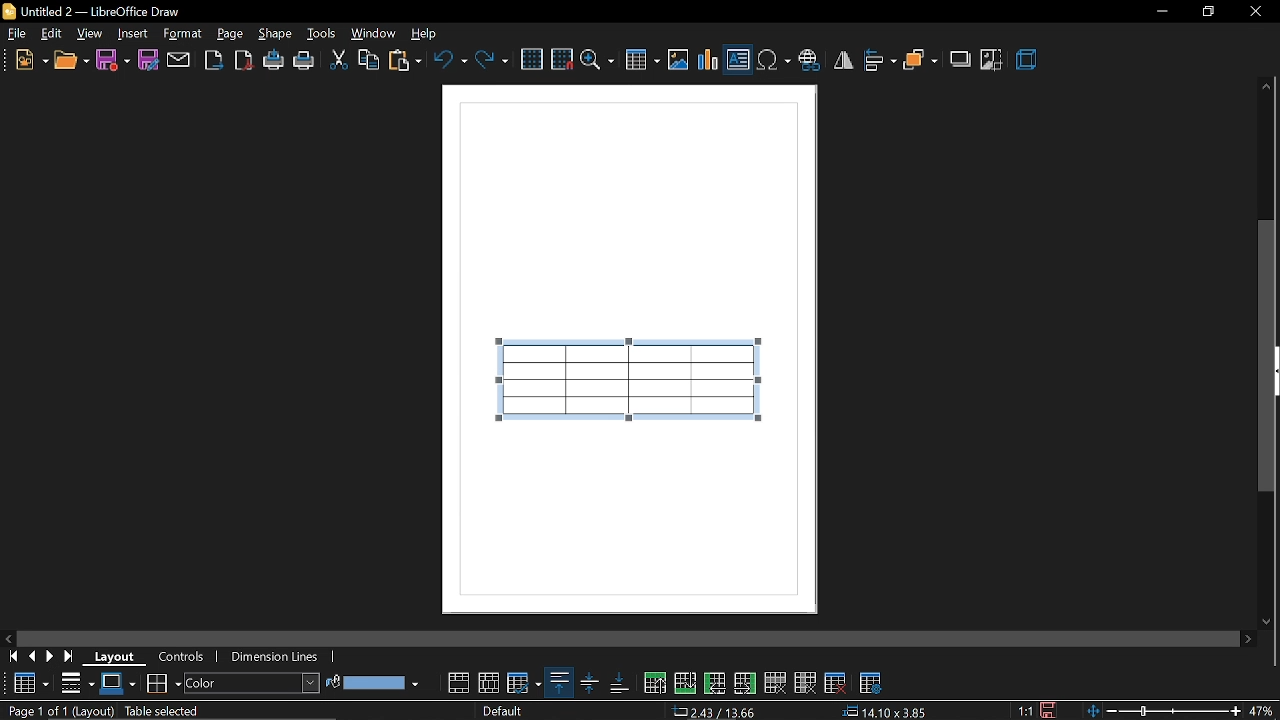  I want to click on zoom, so click(598, 60).